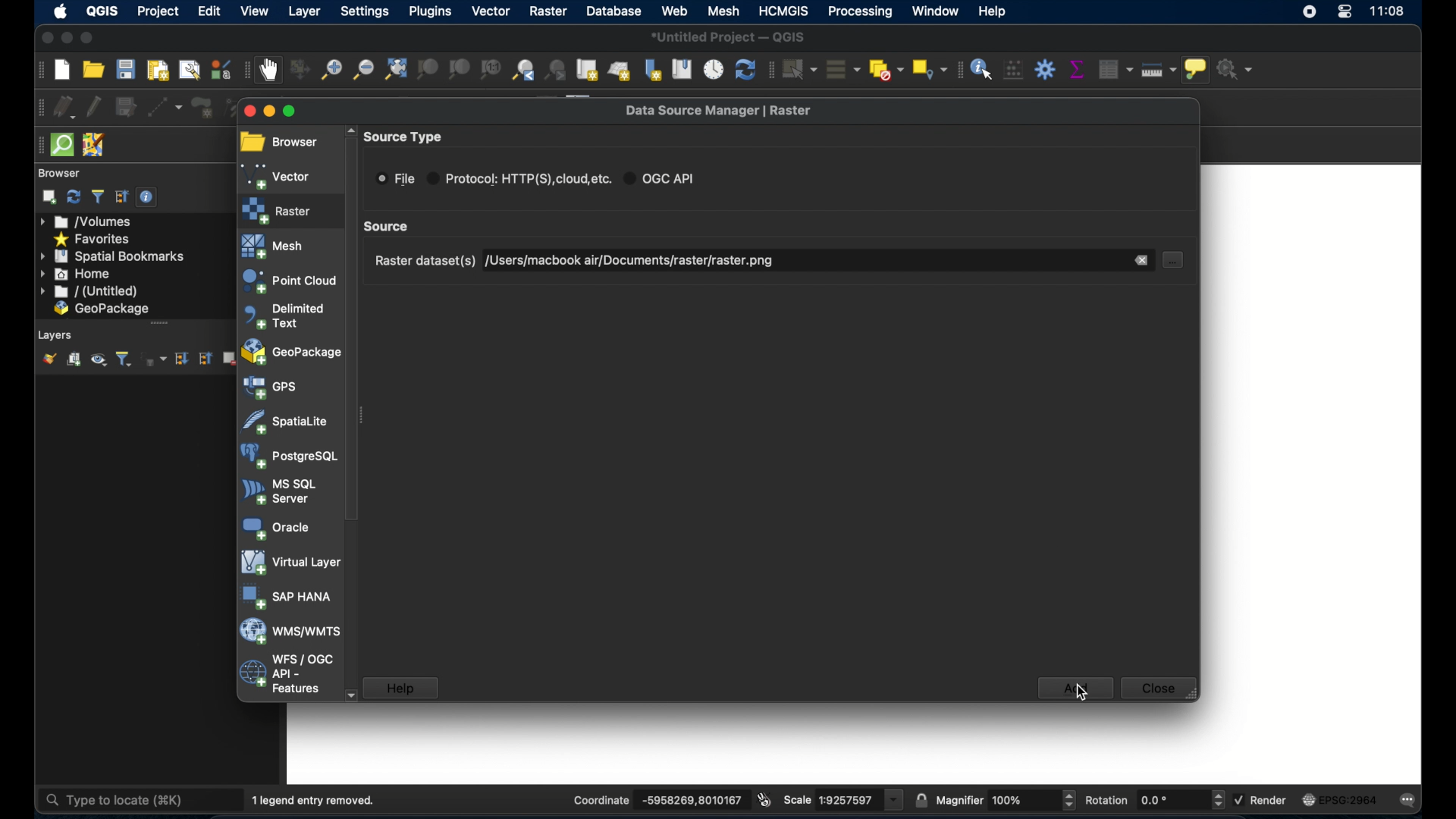  Describe the element at coordinates (62, 145) in the screenshot. I see `quicksom` at that location.